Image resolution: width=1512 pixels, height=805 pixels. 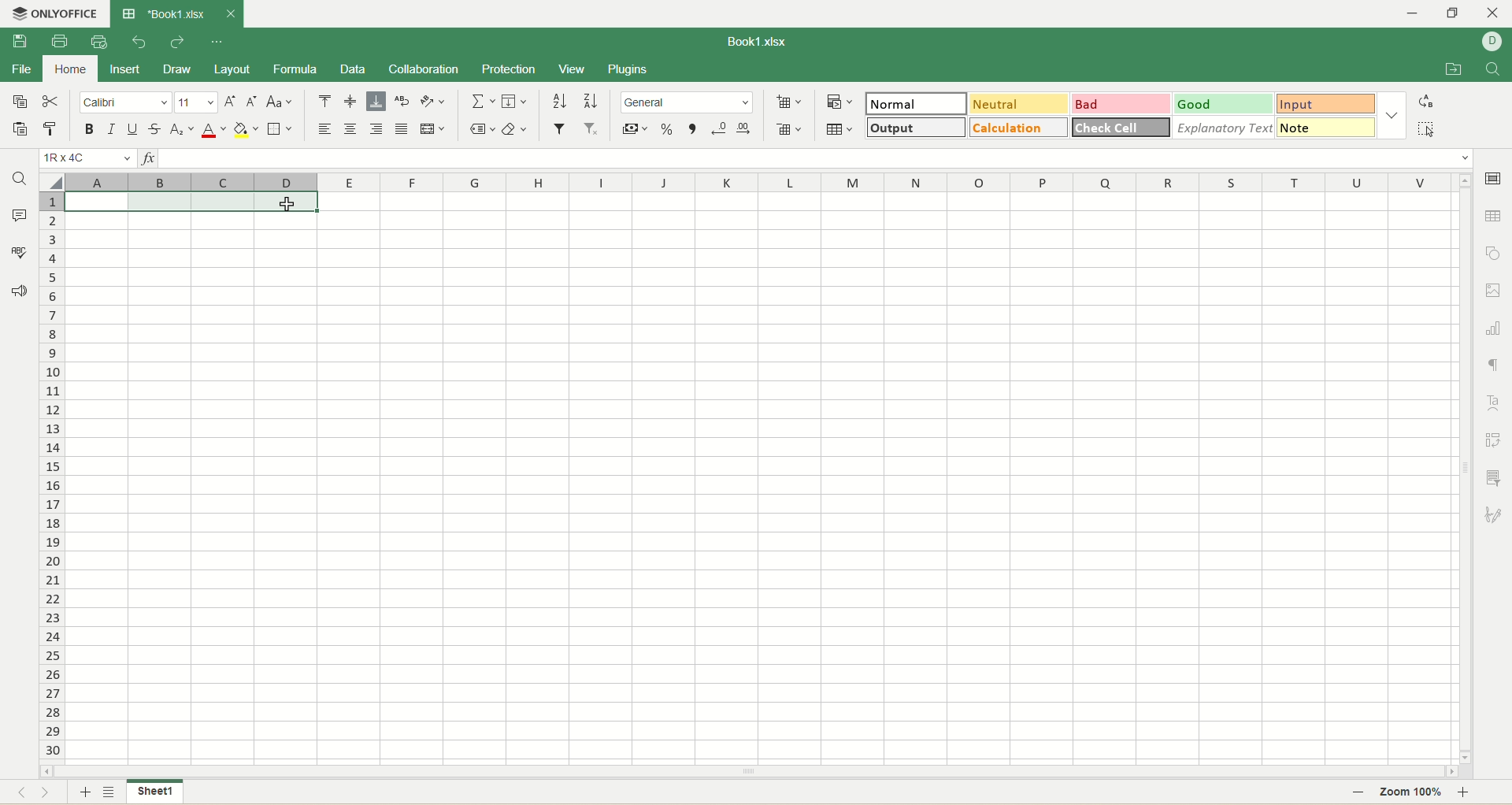 What do you see at coordinates (83, 793) in the screenshot?
I see `new sheet` at bounding box center [83, 793].